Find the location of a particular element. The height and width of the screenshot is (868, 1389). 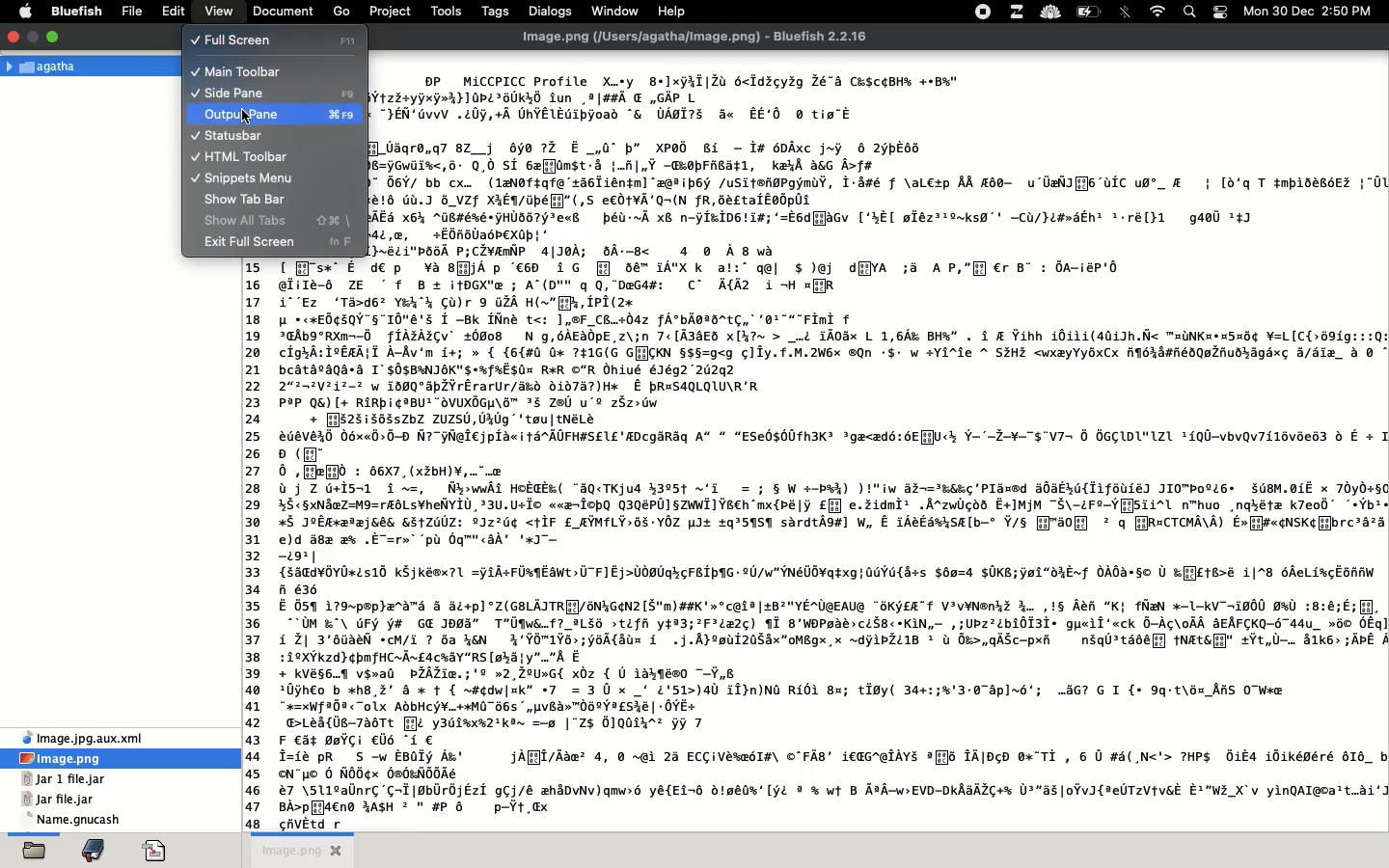

bluetooth is located at coordinates (1128, 14).